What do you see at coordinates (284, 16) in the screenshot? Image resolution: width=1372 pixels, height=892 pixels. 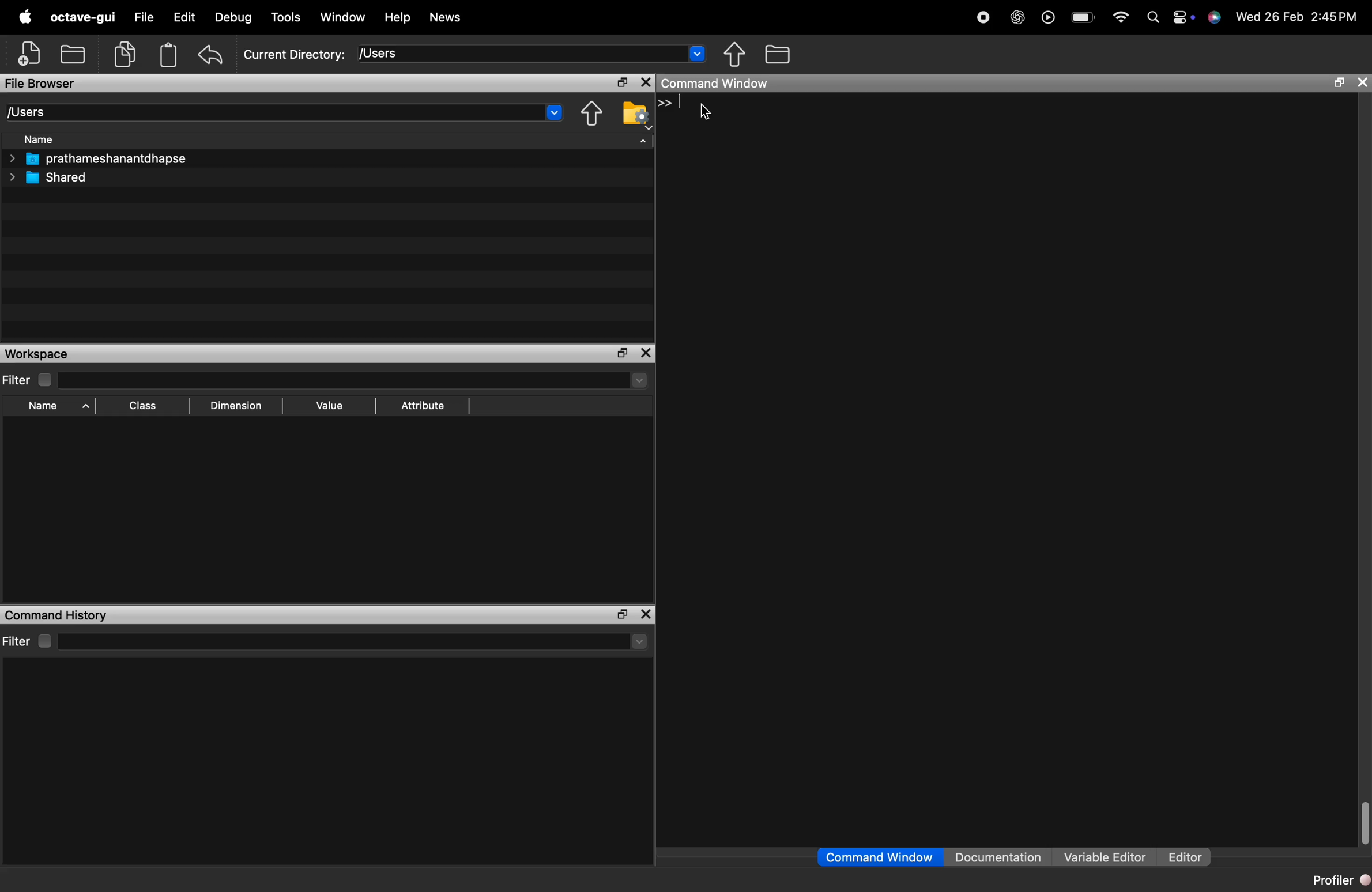 I see `Tools` at bounding box center [284, 16].